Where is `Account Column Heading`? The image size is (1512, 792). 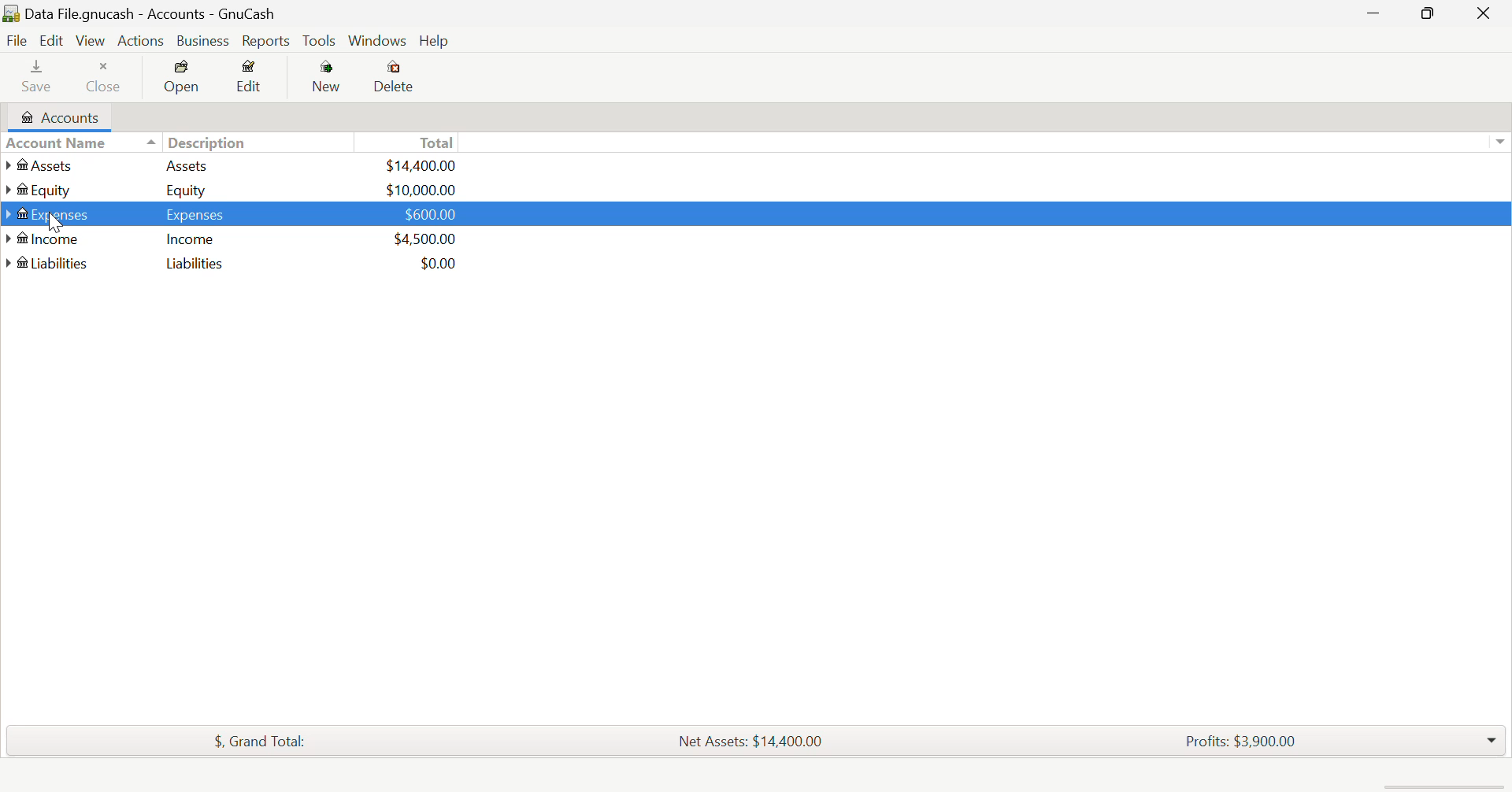 Account Column Heading is located at coordinates (57, 146).